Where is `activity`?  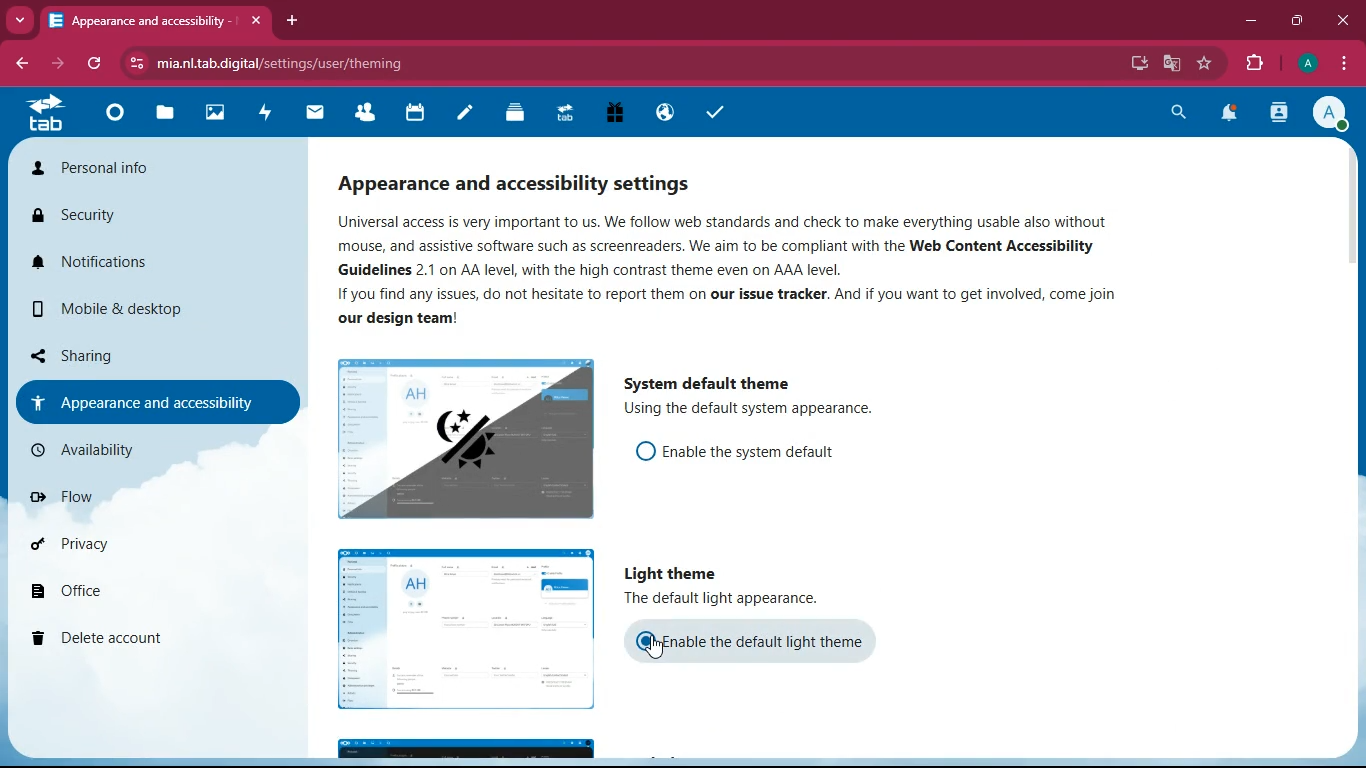 activity is located at coordinates (264, 112).